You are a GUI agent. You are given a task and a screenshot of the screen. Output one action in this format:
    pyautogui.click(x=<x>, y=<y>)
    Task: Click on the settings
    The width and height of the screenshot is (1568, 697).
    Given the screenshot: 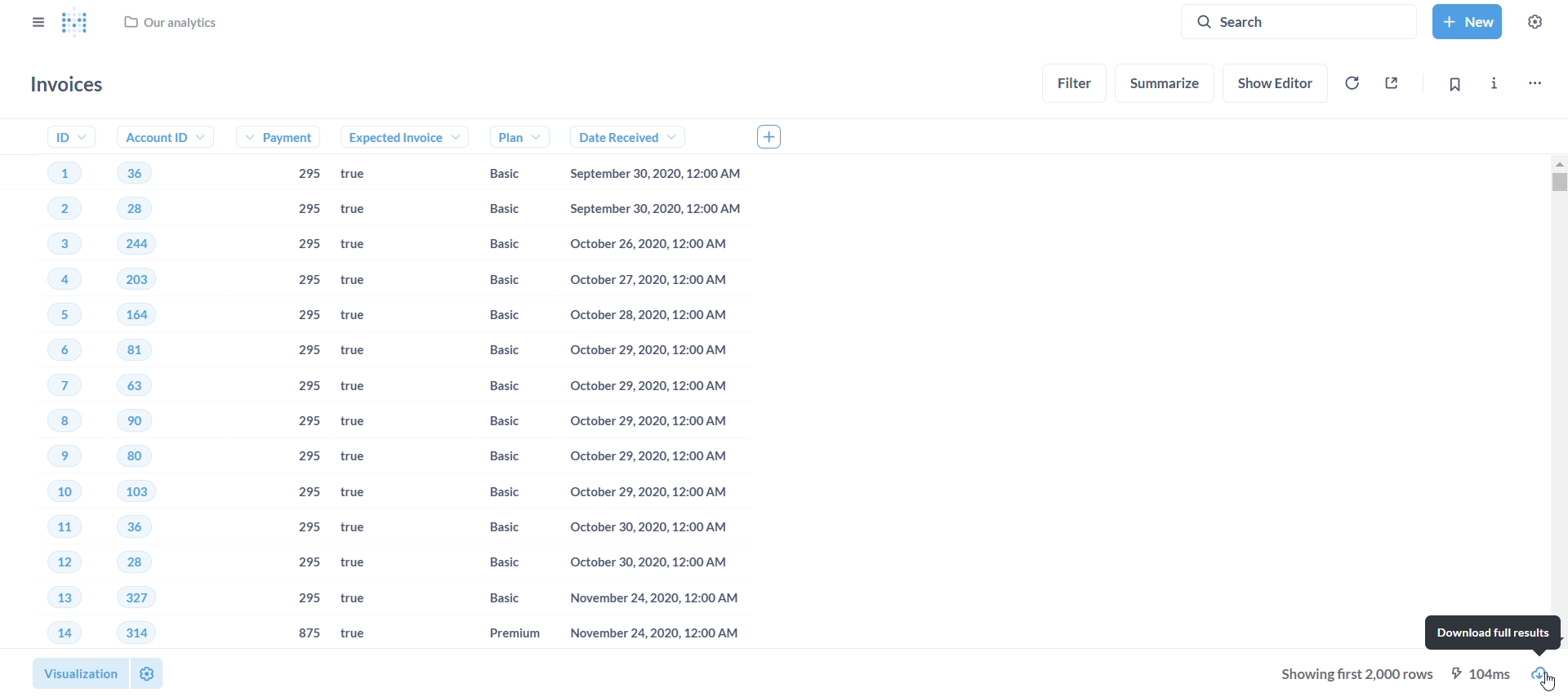 What is the action you would take?
    pyautogui.click(x=1540, y=20)
    